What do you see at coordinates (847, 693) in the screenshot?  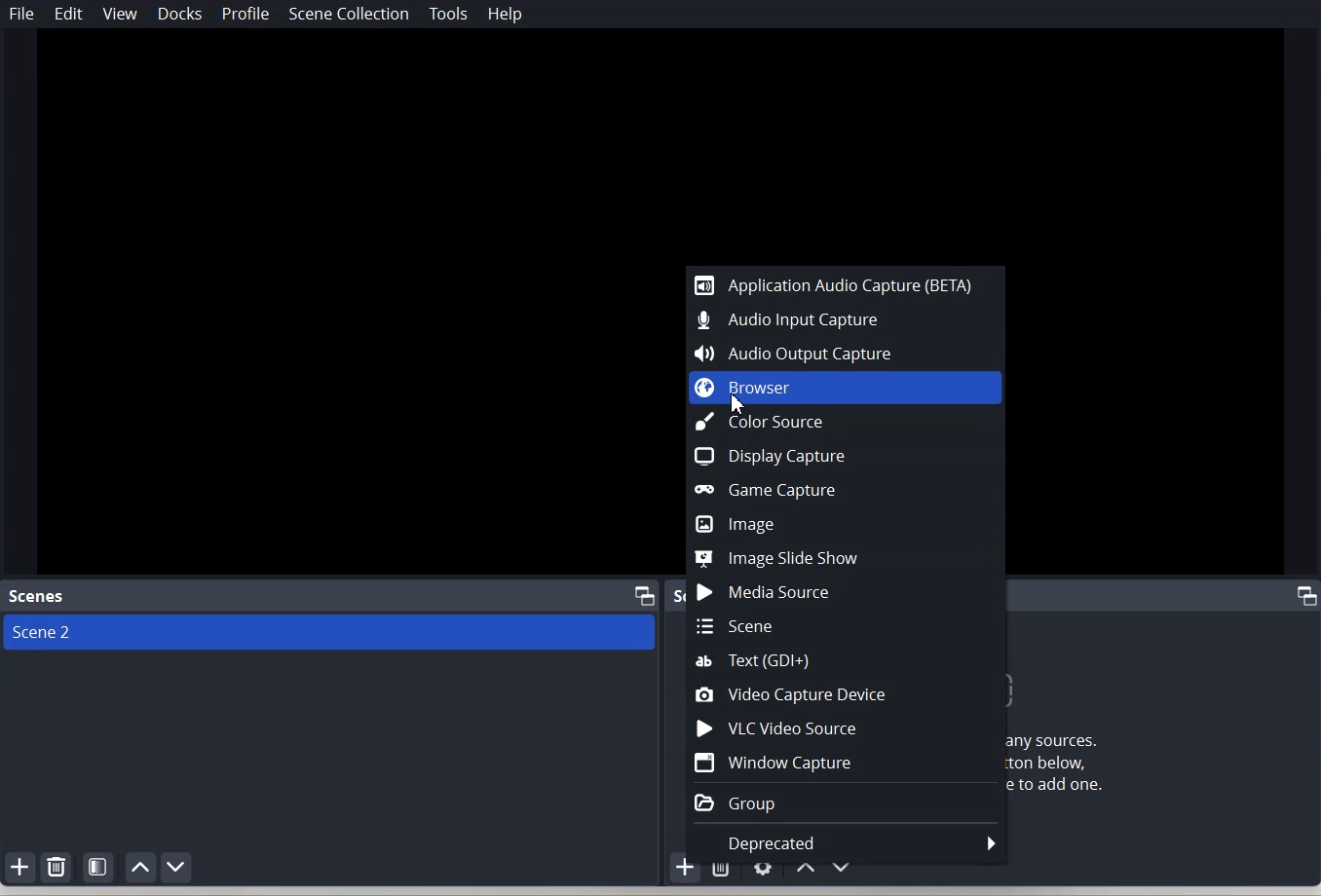 I see `Video Capture Device` at bounding box center [847, 693].